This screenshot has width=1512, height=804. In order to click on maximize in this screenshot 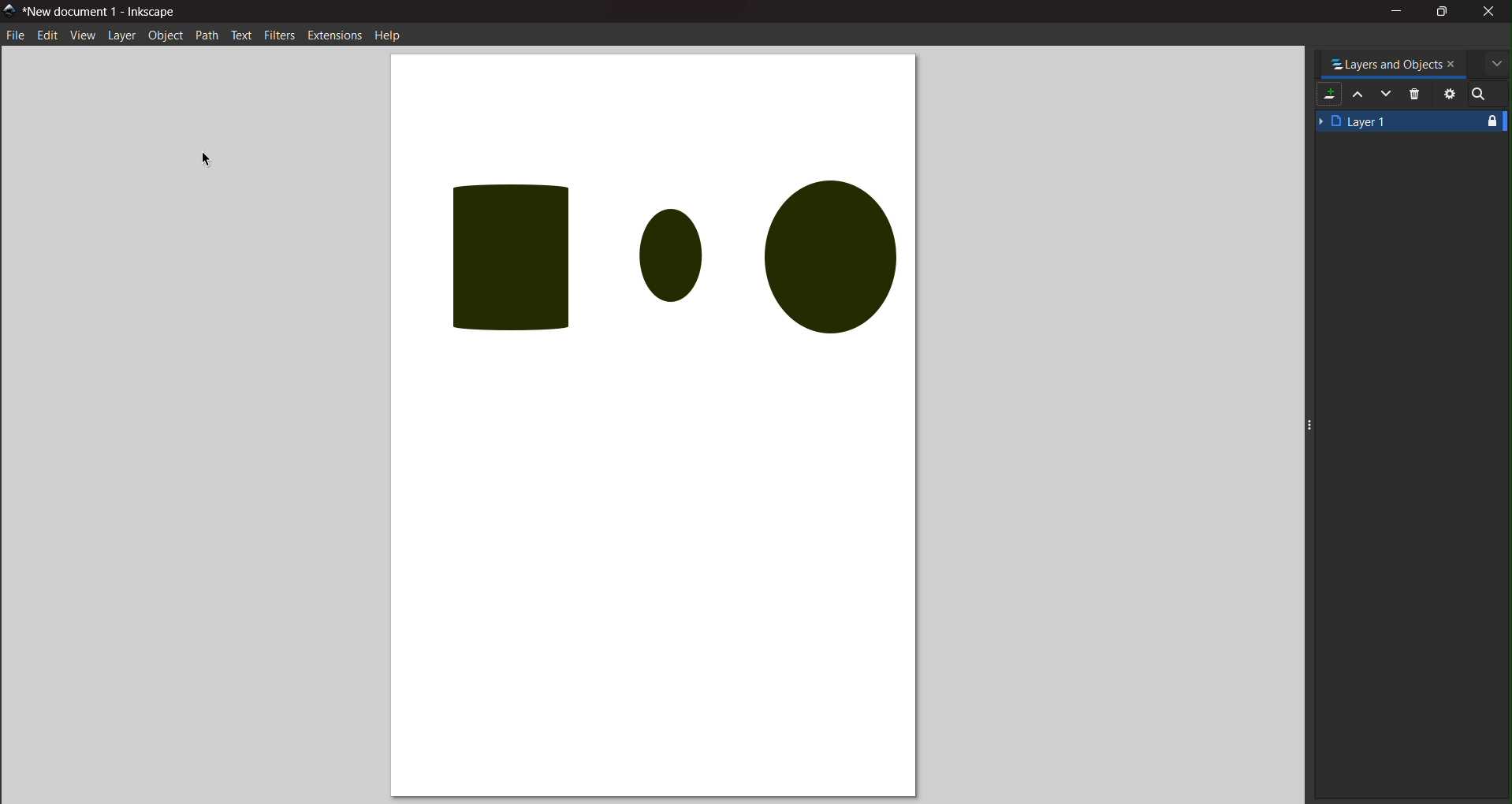, I will do `click(1445, 11)`.